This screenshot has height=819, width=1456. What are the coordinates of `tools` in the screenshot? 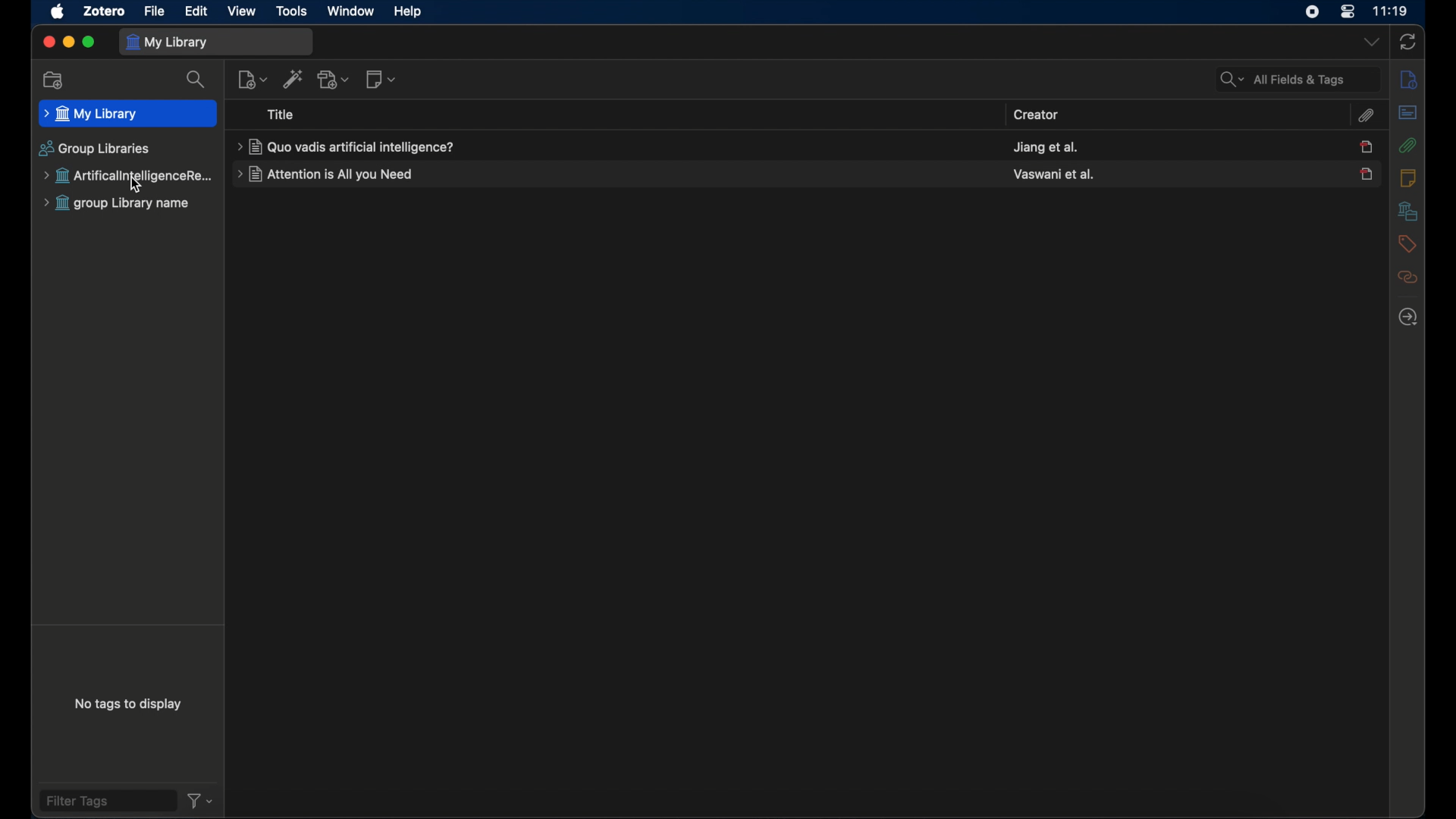 It's located at (291, 11).